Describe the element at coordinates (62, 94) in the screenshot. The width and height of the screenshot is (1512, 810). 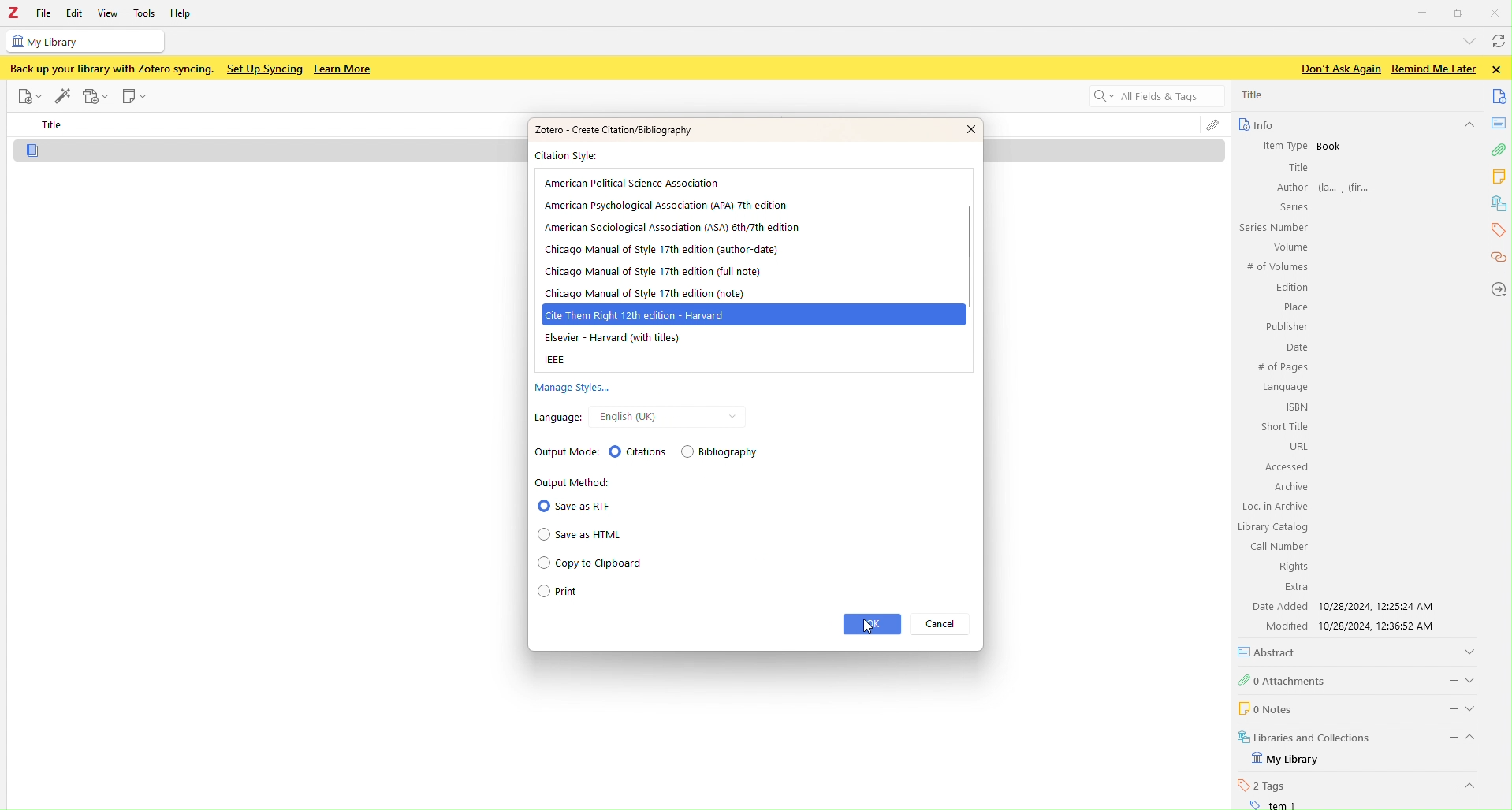
I see `edit` at that location.